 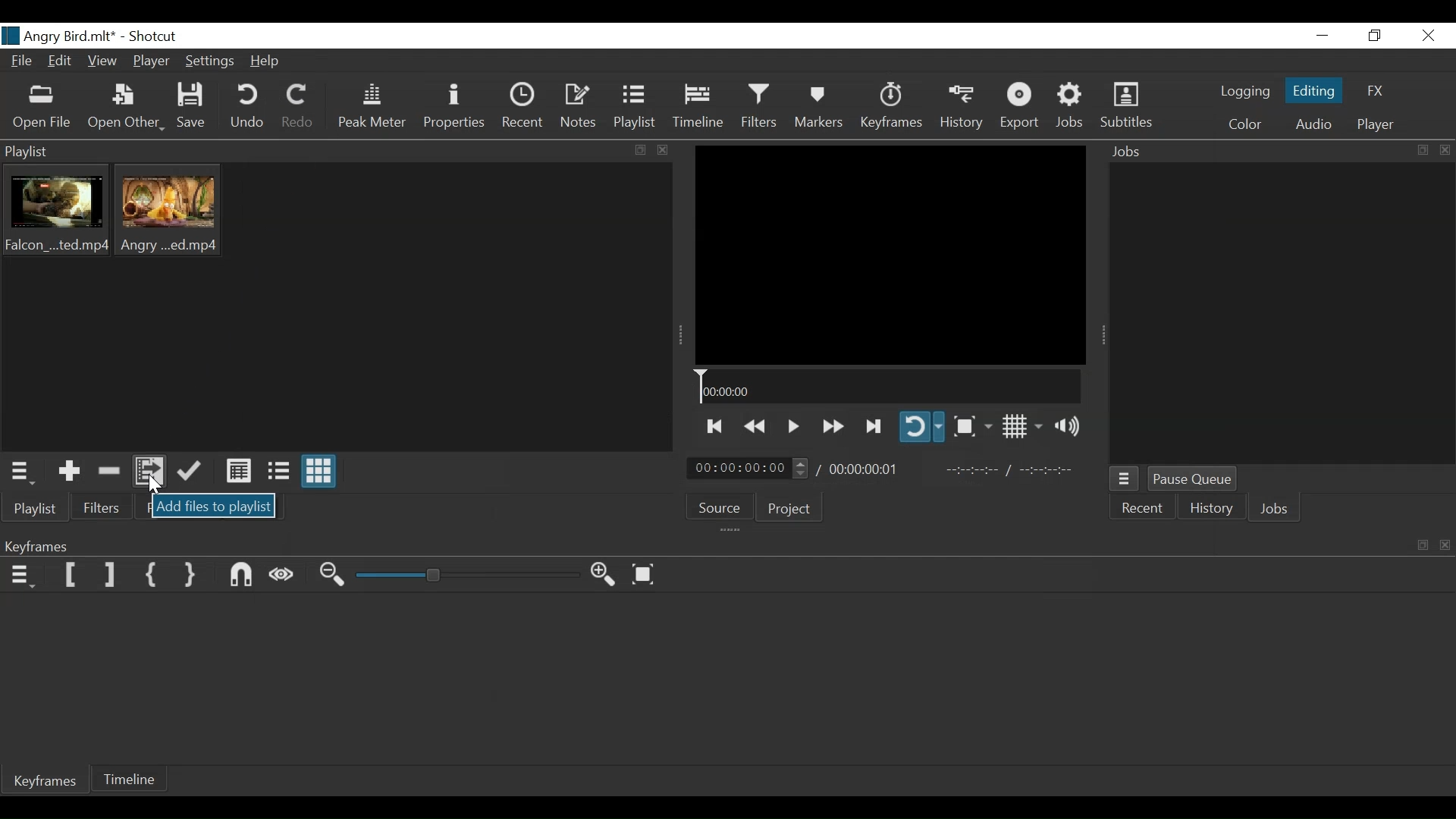 What do you see at coordinates (152, 472) in the screenshot?
I see `Add files to the playlist` at bounding box center [152, 472].